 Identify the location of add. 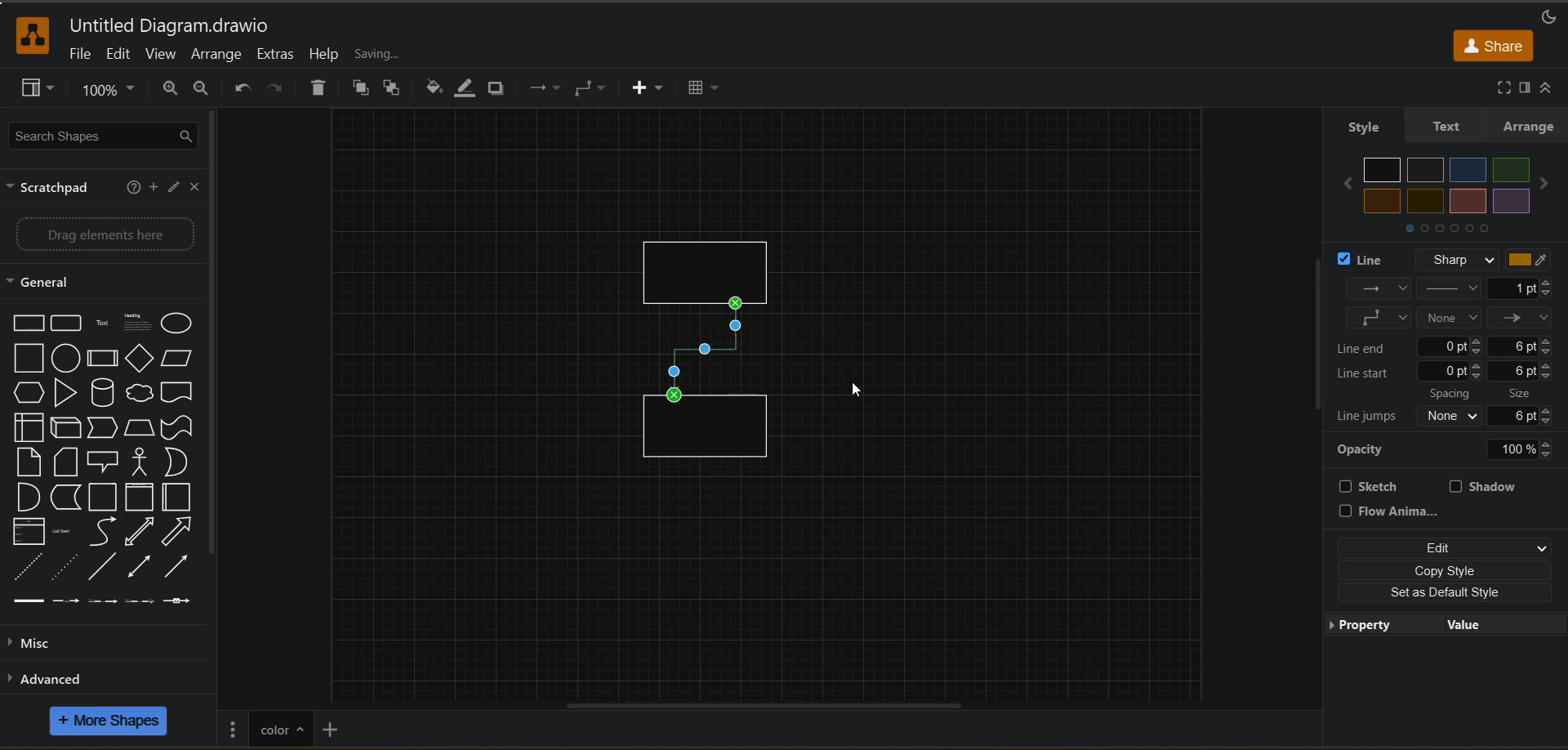
(153, 187).